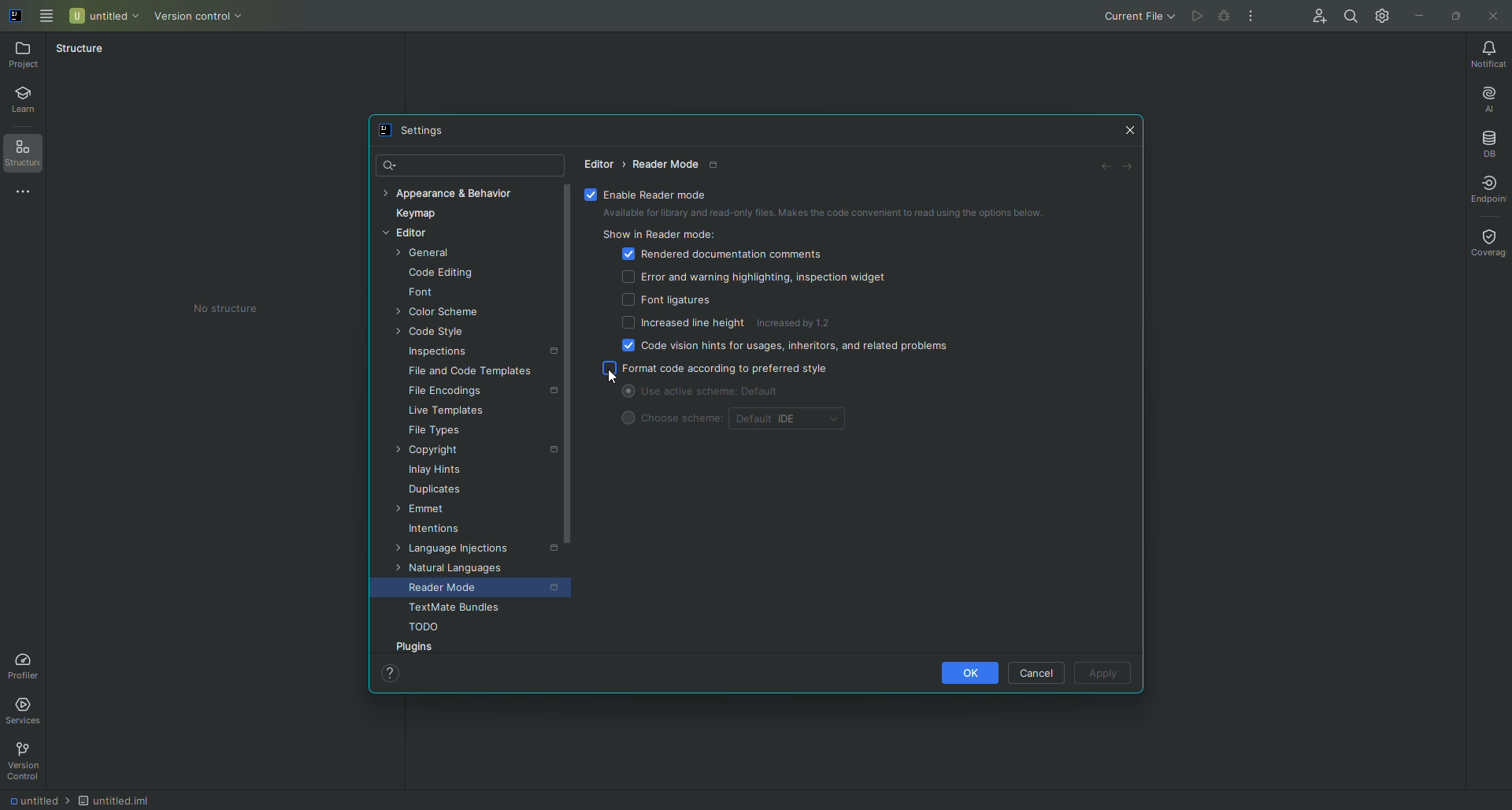 The width and height of the screenshot is (1512, 810). I want to click on Structure, so click(80, 52).